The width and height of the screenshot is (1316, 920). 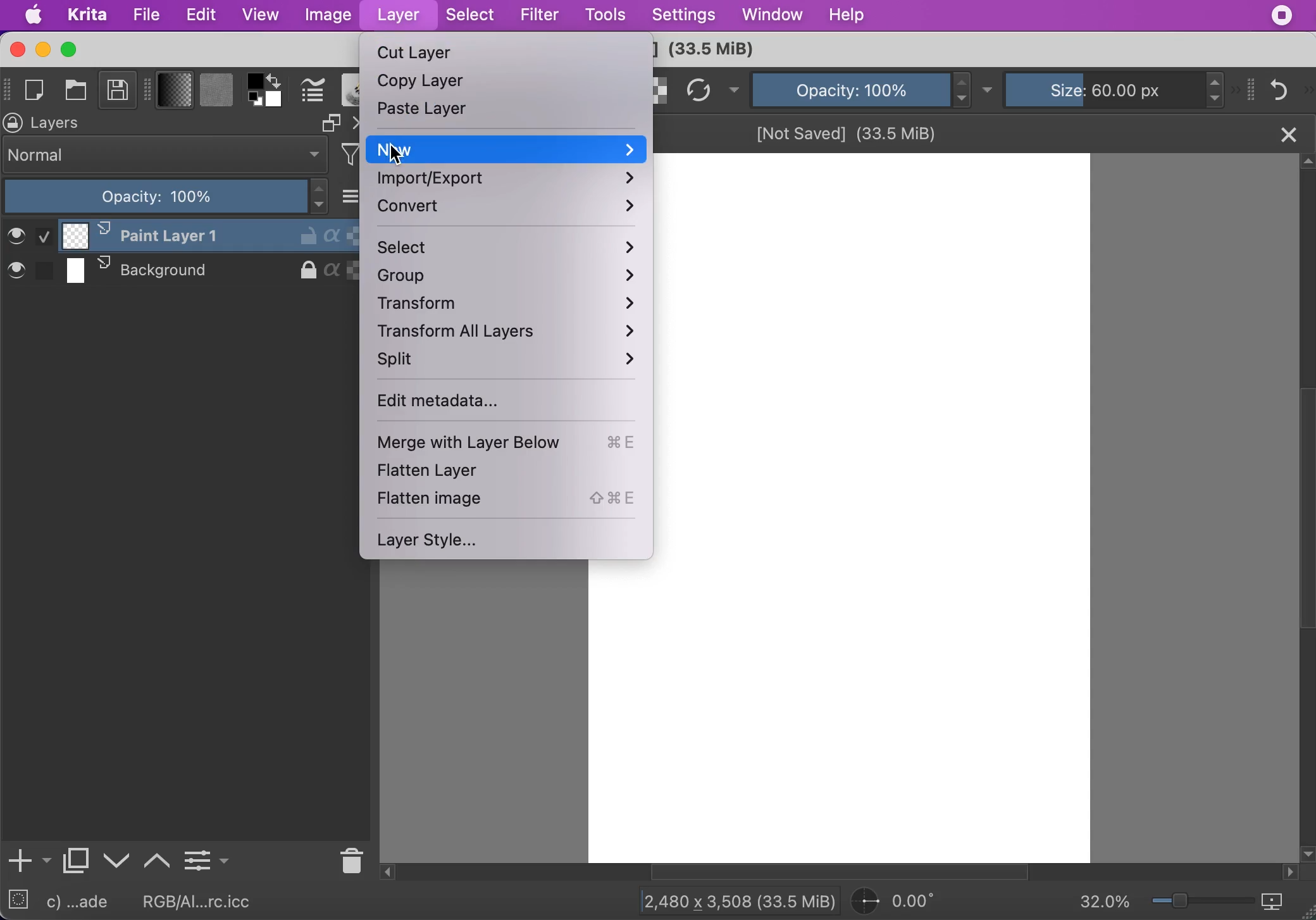 What do you see at coordinates (901, 902) in the screenshot?
I see `rotation` at bounding box center [901, 902].